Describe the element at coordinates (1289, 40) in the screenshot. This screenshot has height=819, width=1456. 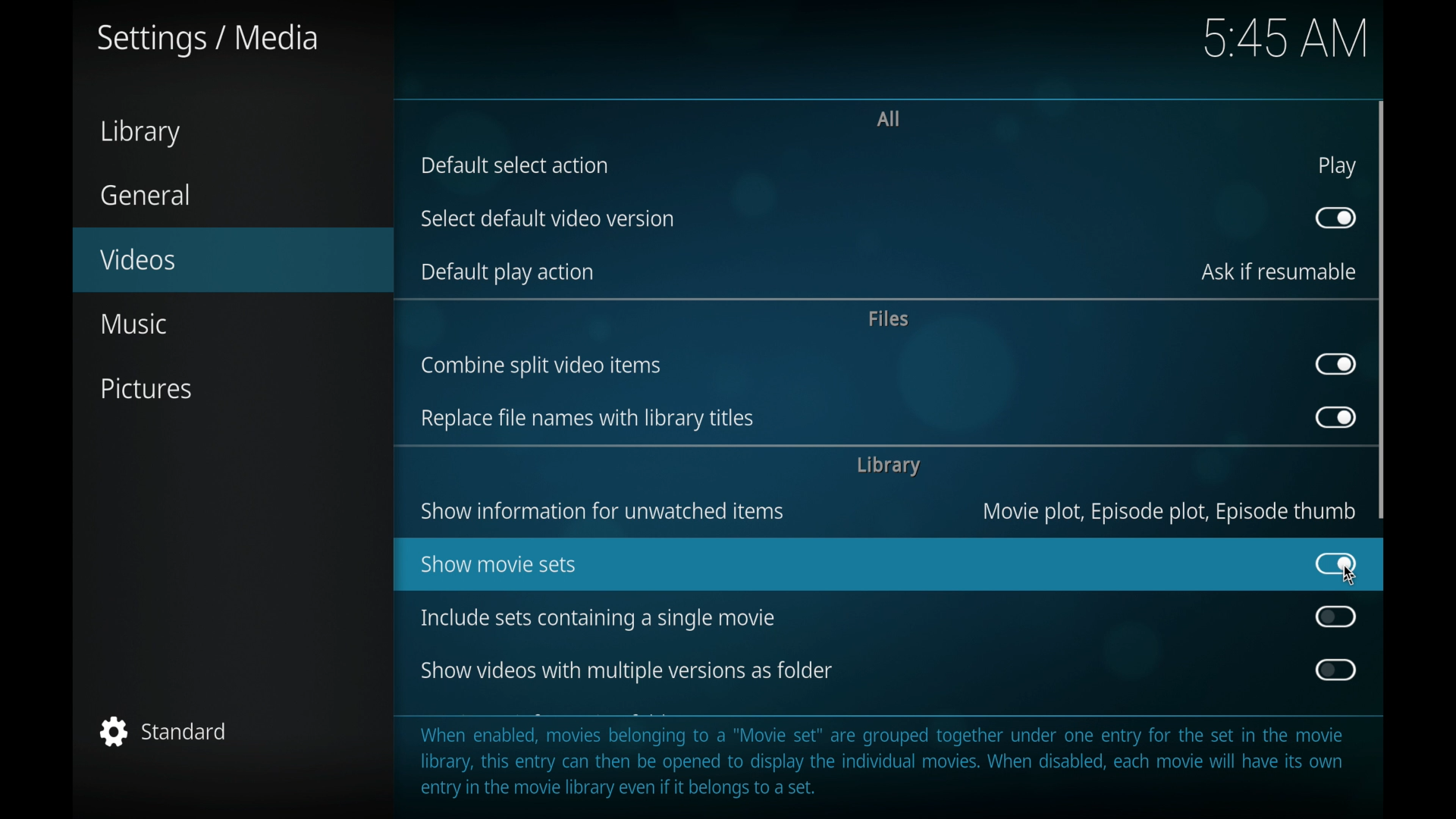
I see `5.44 am` at that location.